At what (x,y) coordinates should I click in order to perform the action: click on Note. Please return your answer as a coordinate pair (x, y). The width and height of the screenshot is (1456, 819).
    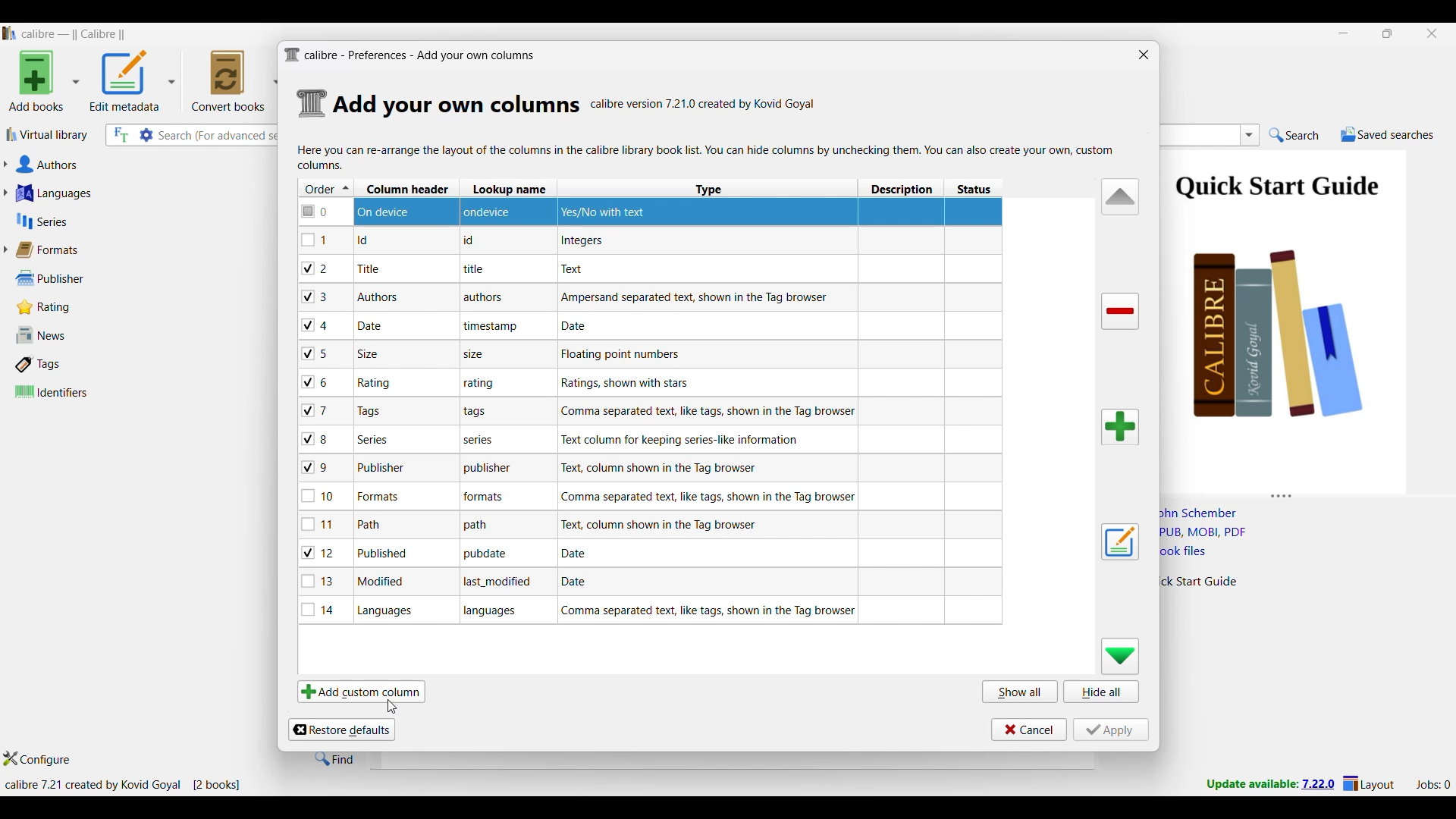
    Looking at the image, I should click on (375, 325).